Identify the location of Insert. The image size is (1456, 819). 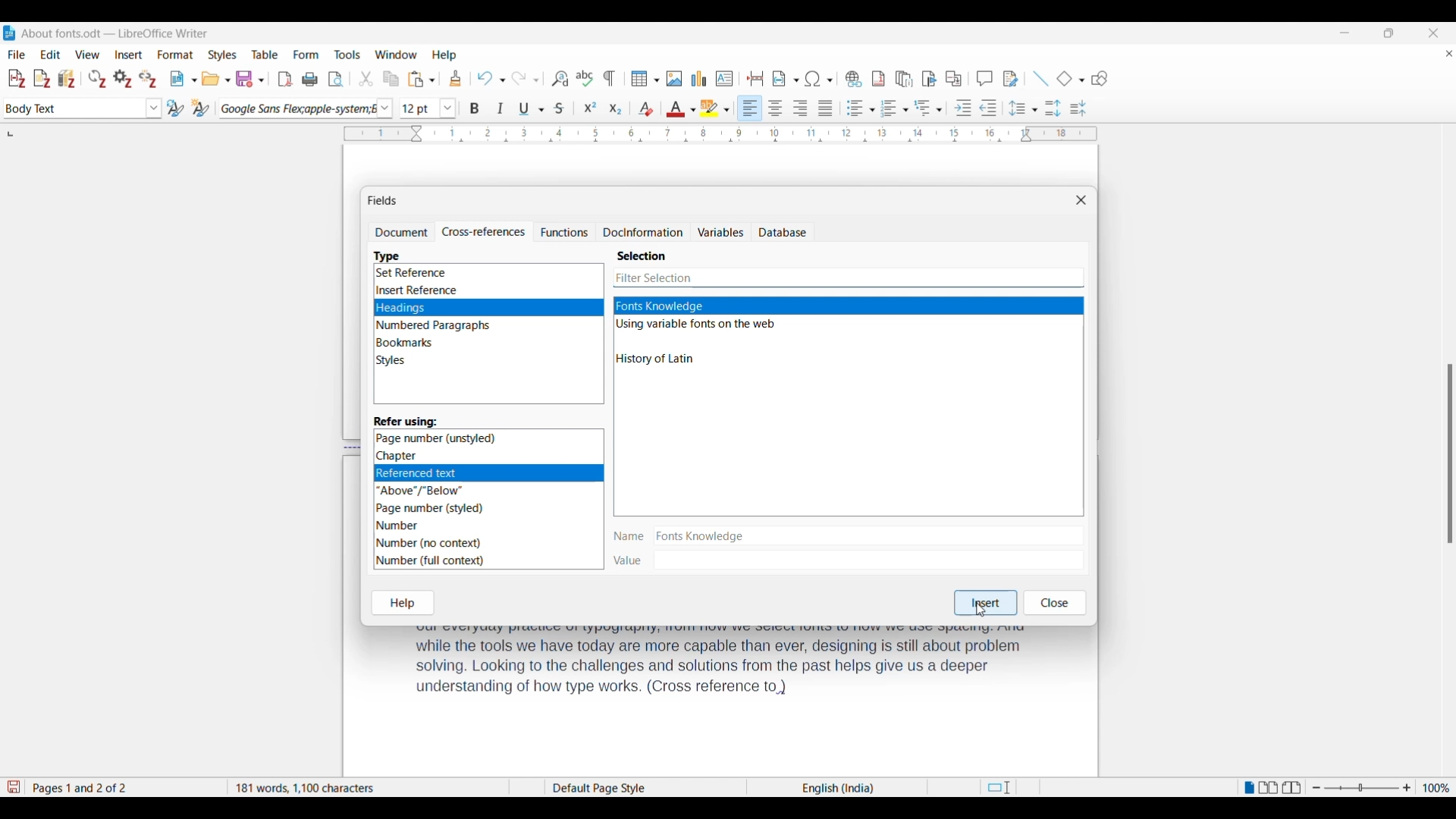
(986, 604).